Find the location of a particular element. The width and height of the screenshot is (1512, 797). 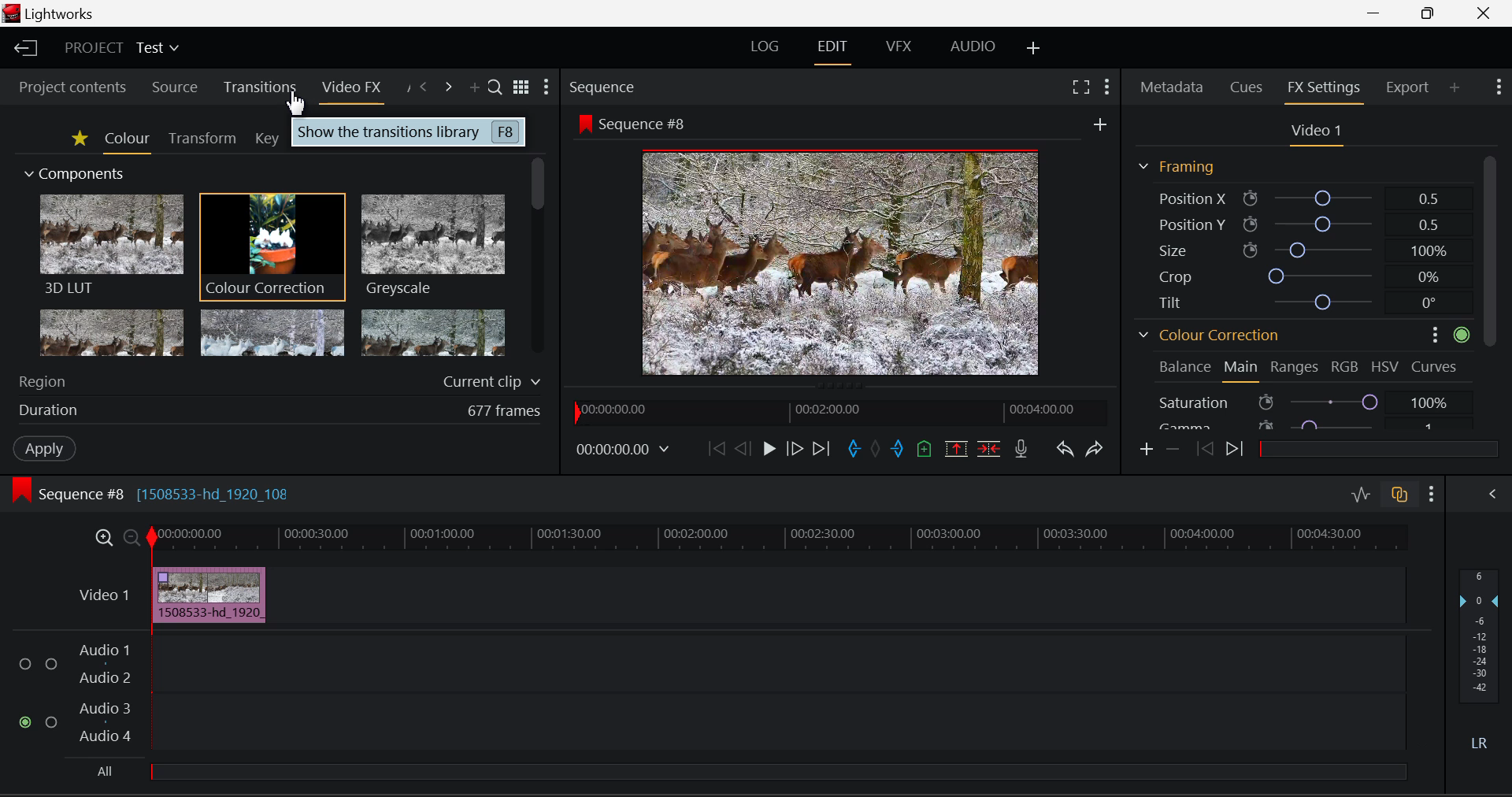

Main Tab Open is located at coordinates (1242, 370).